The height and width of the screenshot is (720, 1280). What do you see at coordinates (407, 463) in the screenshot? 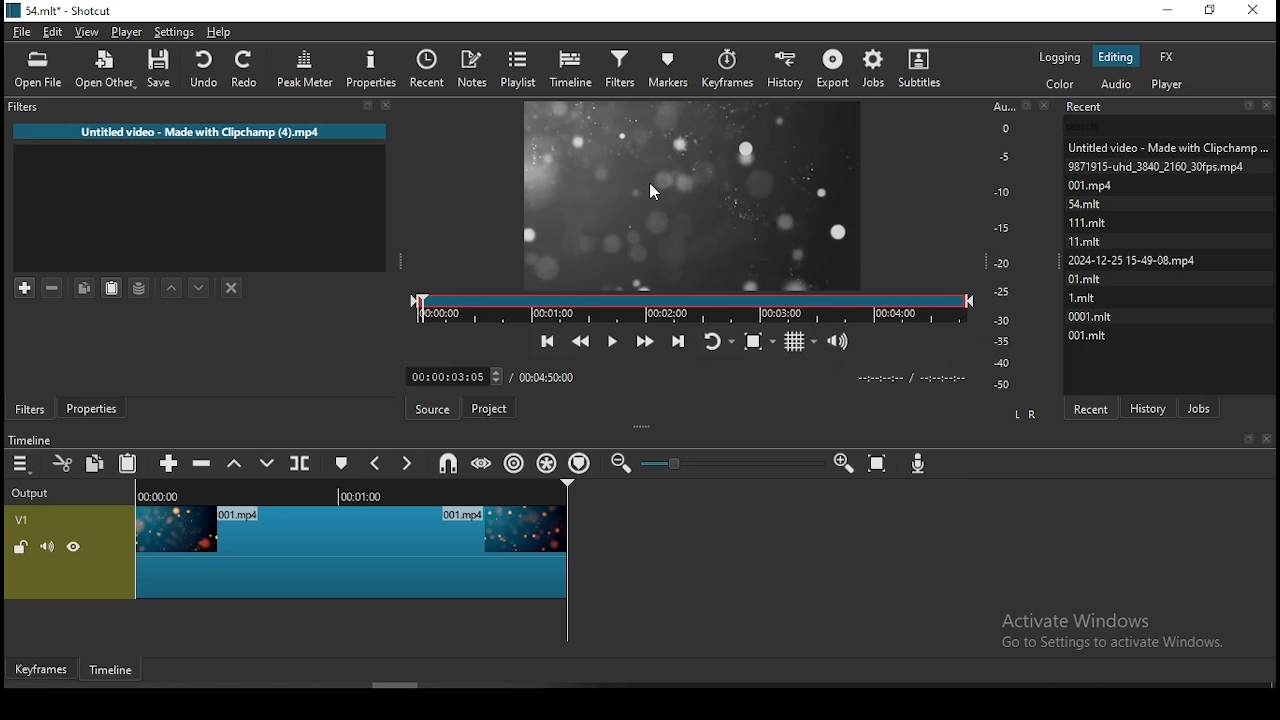
I see `next marker` at bounding box center [407, 463].